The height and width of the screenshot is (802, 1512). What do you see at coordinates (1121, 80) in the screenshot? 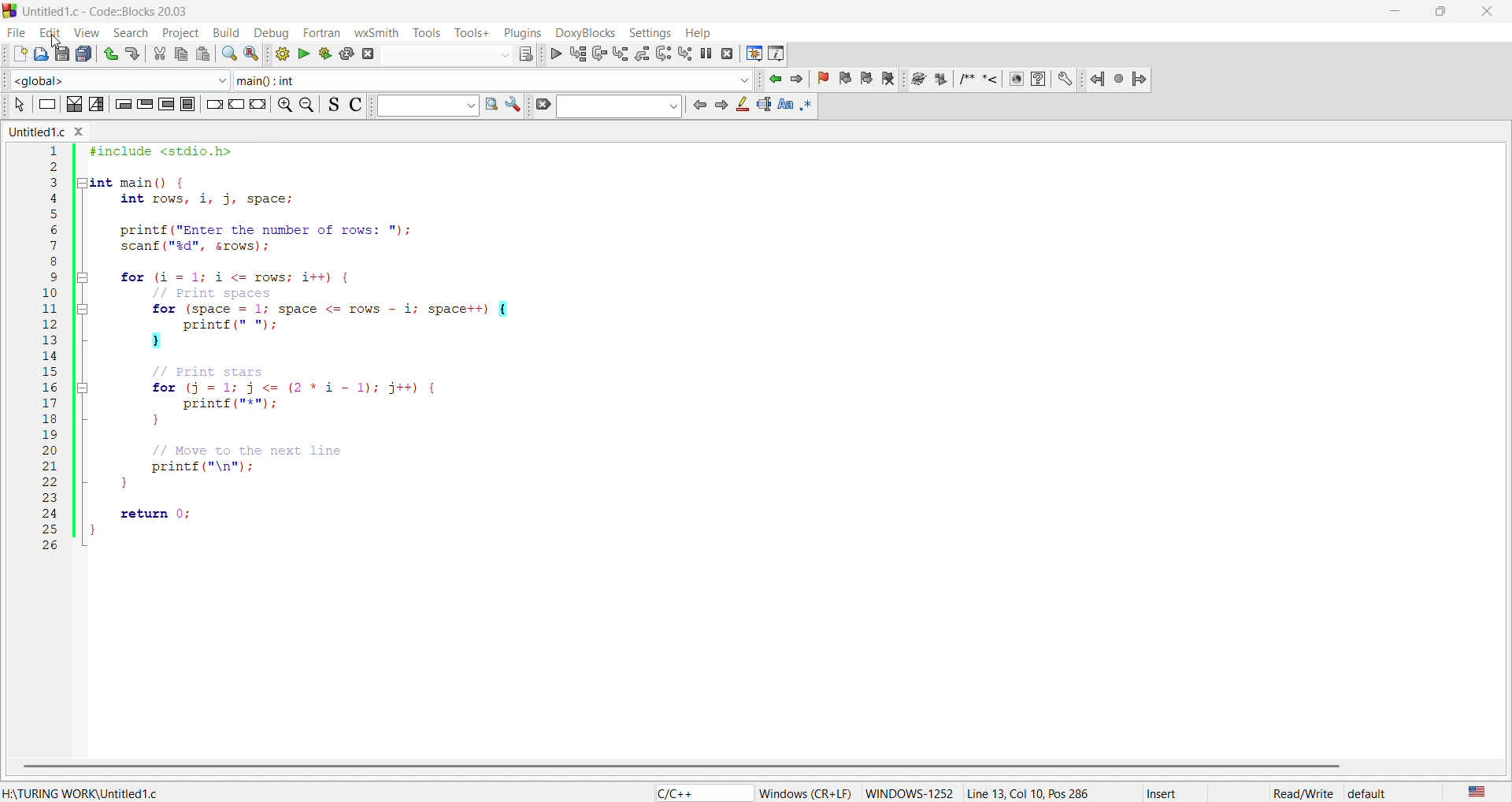
I see `last jump` at bounding box center [1121, 80].